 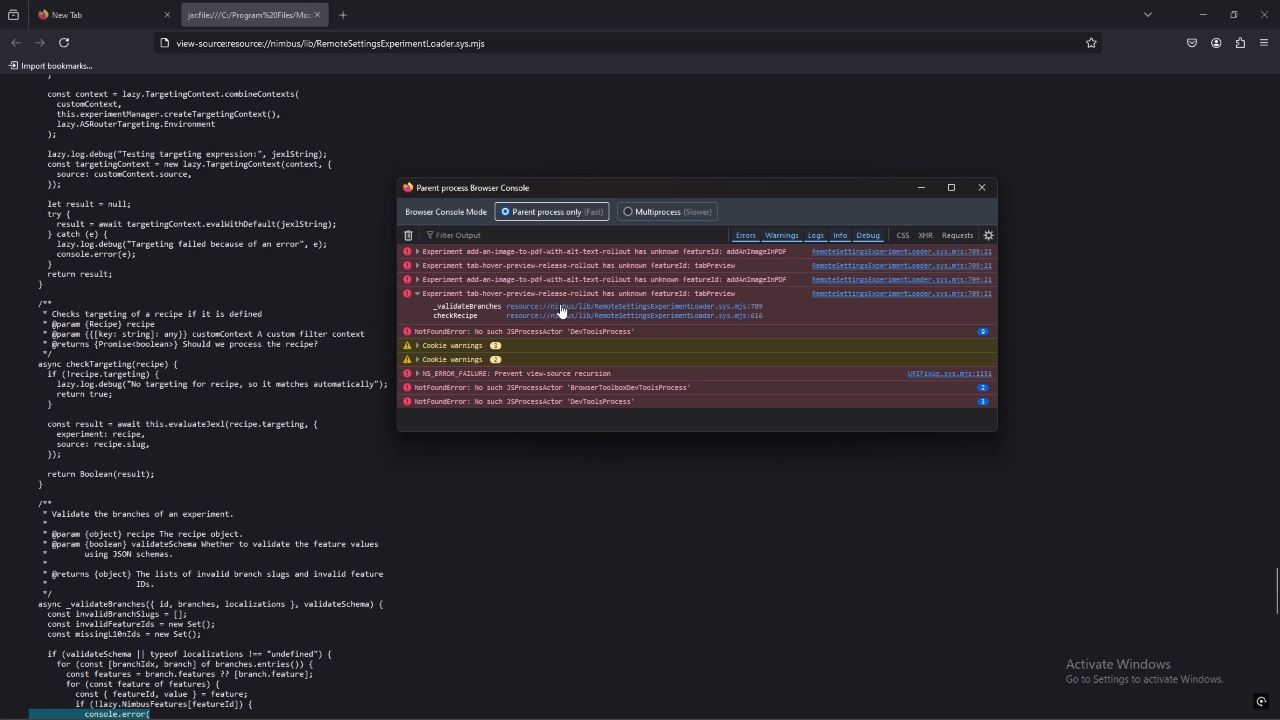 I want to click on recent browsing, so click(x=14, y=16).